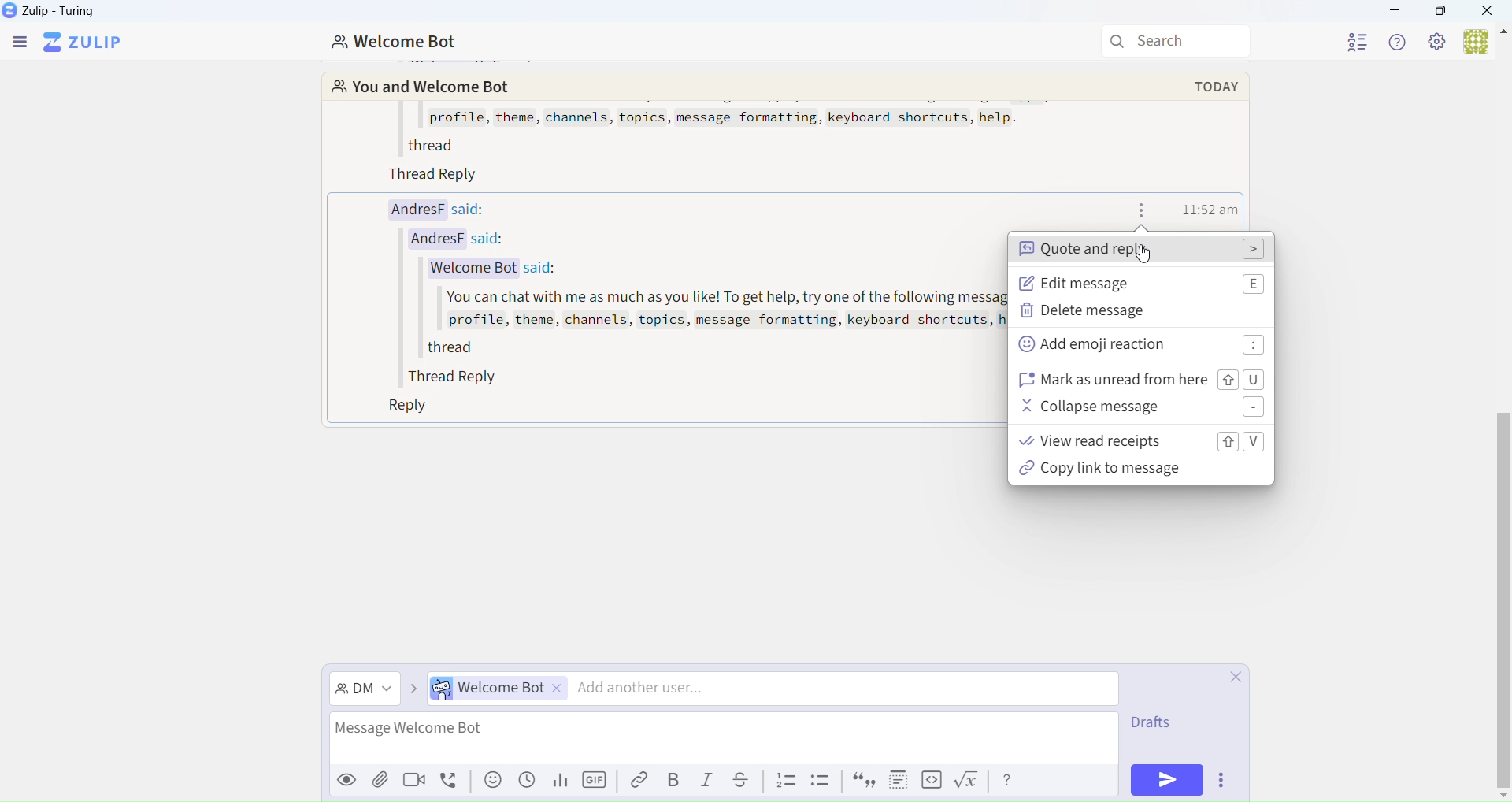  What do you see at coordinates (1165, 782) in the screenshot?
I see `Send` at bounding box center [1165, 782].